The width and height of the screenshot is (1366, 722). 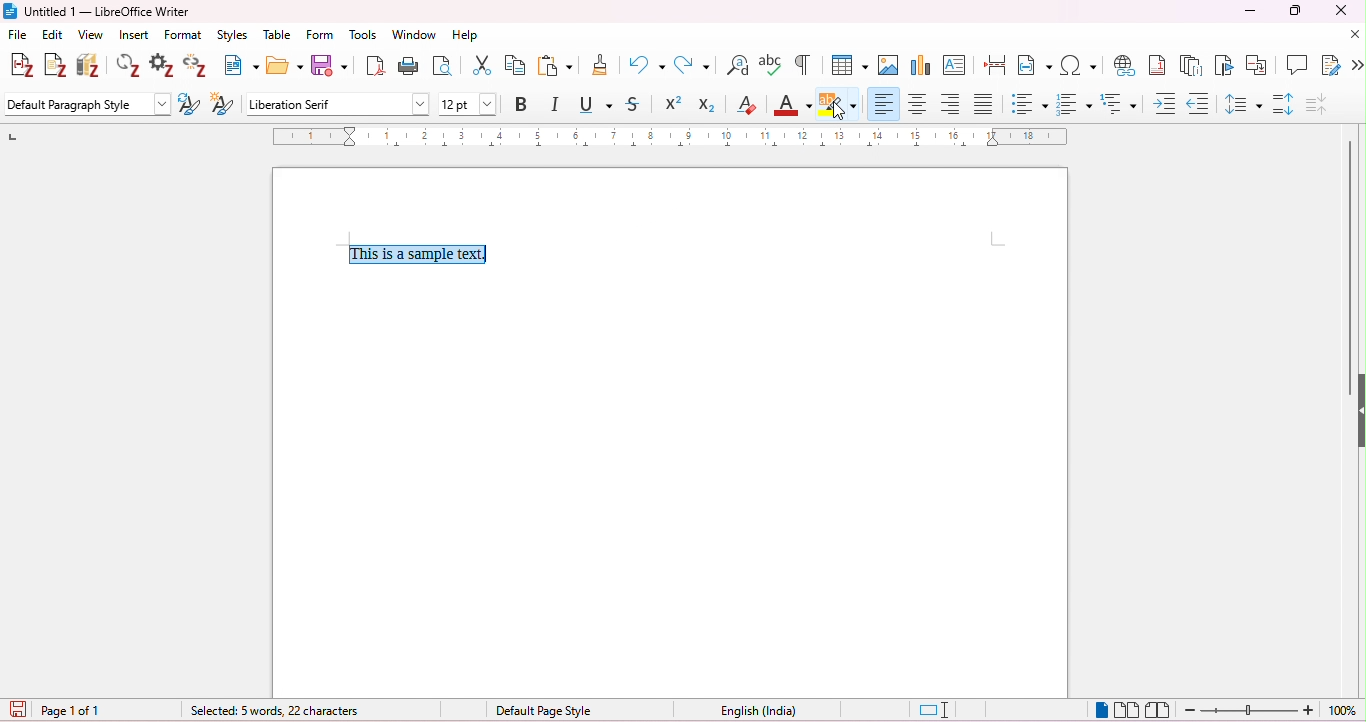 What do you see at coordinates (53, 36) in the screenshot?
I see `edit` at bounding box center [53, 36].